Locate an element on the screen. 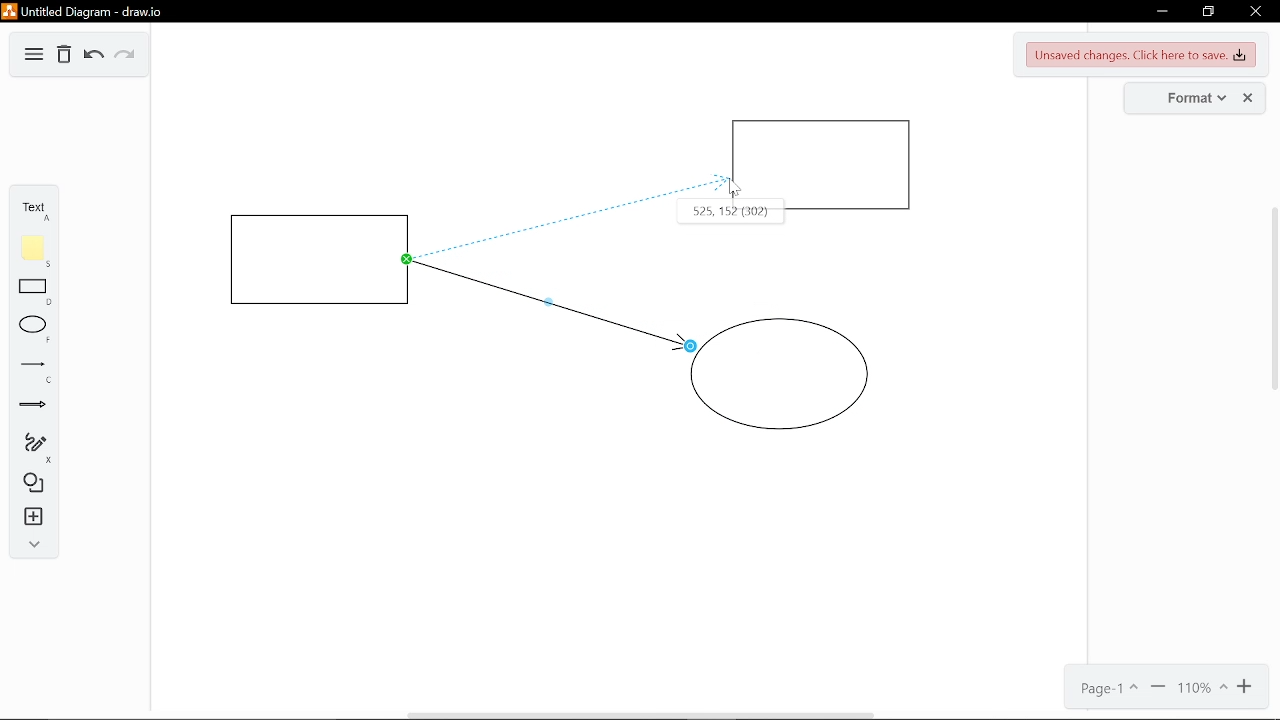  Line is located at coordinates (34, 371).